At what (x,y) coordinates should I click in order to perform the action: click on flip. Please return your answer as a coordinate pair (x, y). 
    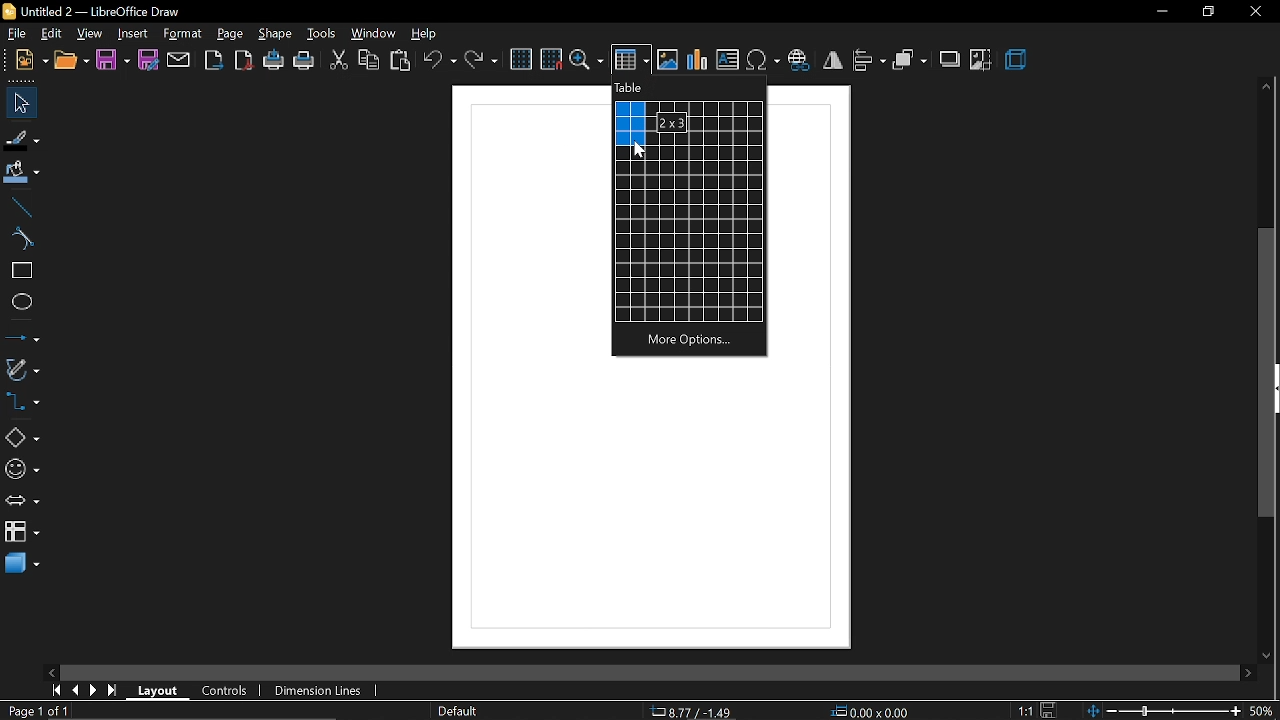
    Looking at the image, I should click on (834, 61).